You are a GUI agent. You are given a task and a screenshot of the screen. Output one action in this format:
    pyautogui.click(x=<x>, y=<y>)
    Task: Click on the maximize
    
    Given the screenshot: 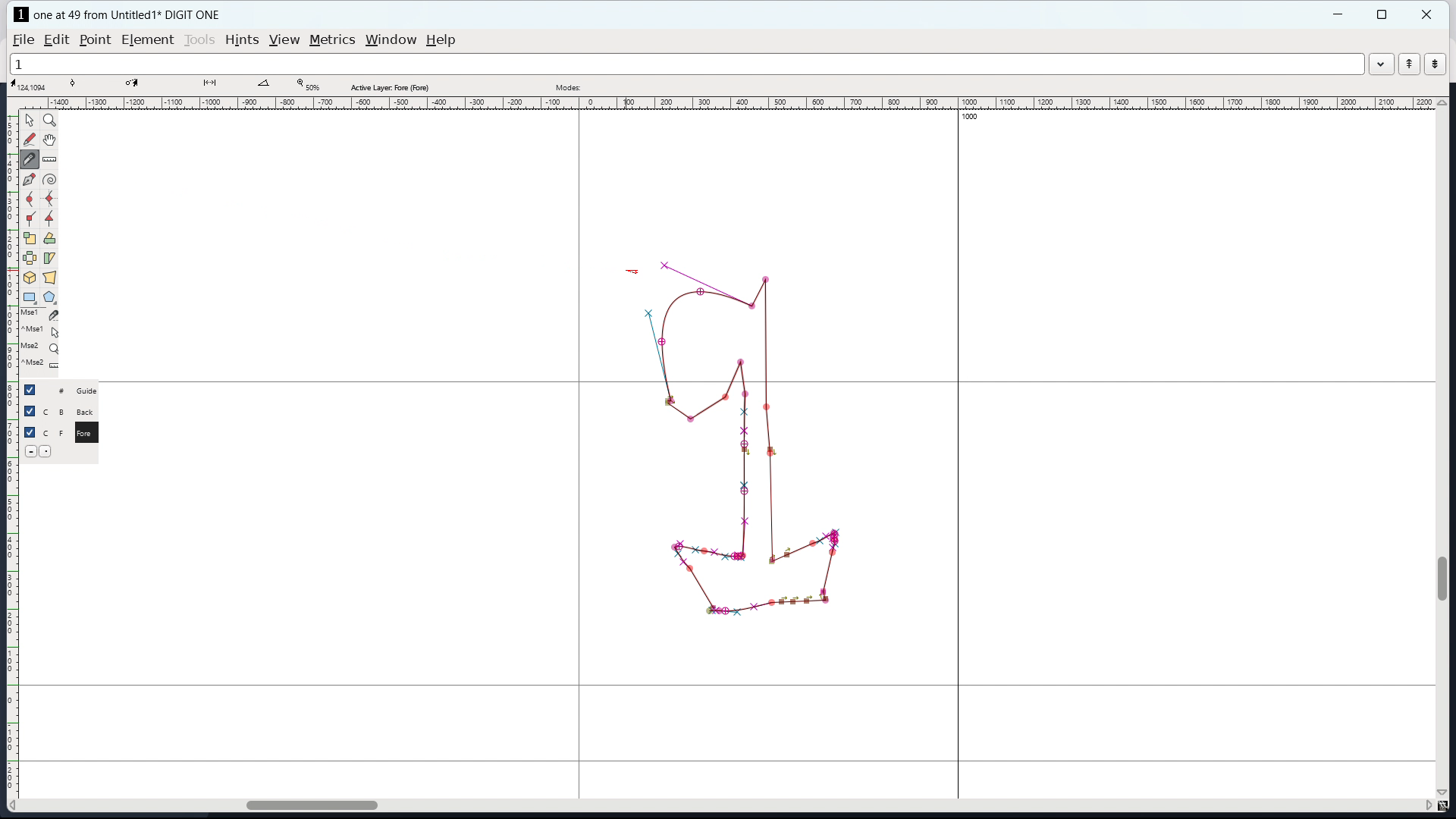 What is the action you would take?
    pyautogui.click(x=1382, y=14)
    